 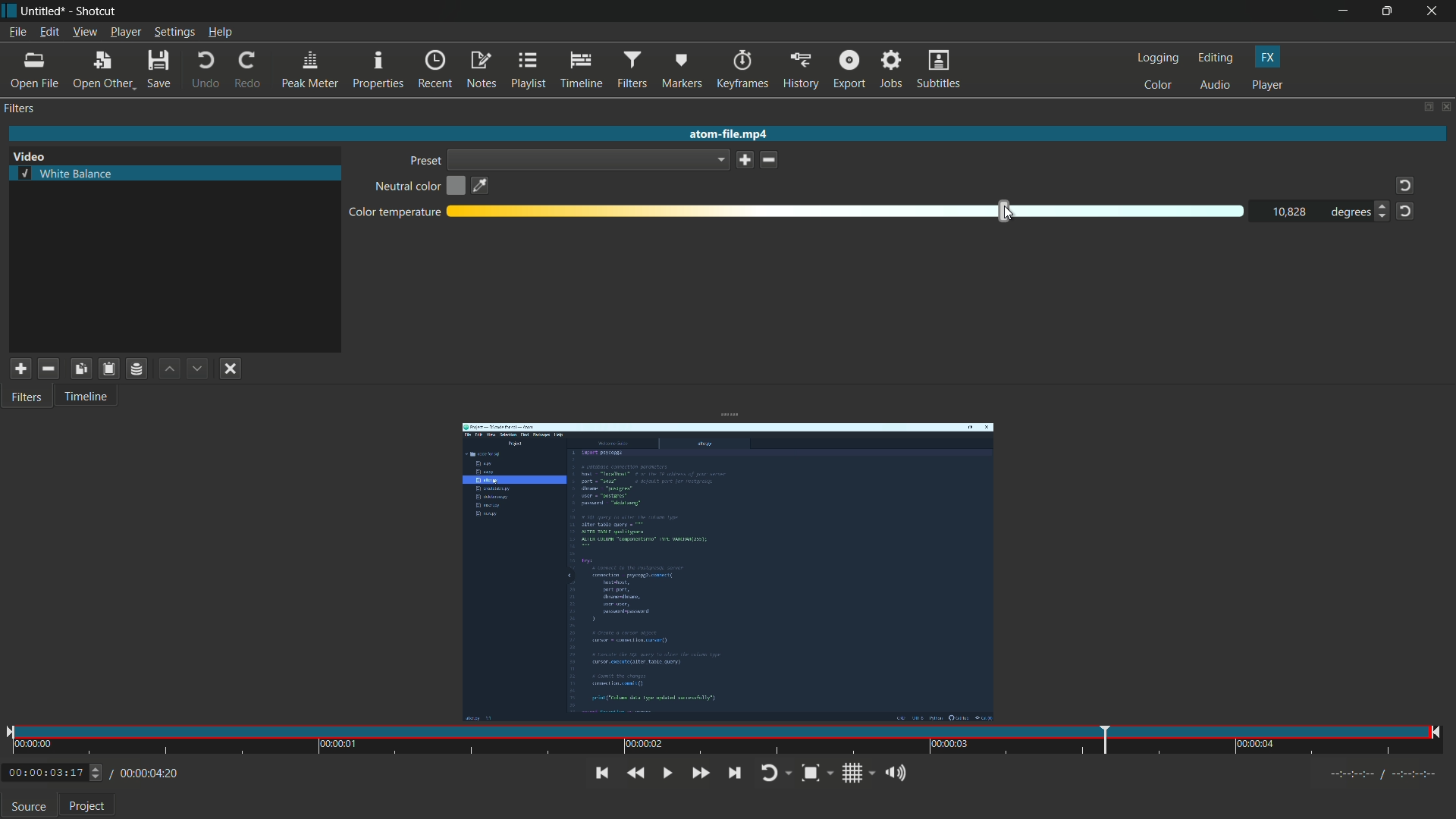 I want to click on timeline, so click(x=580, y=71).